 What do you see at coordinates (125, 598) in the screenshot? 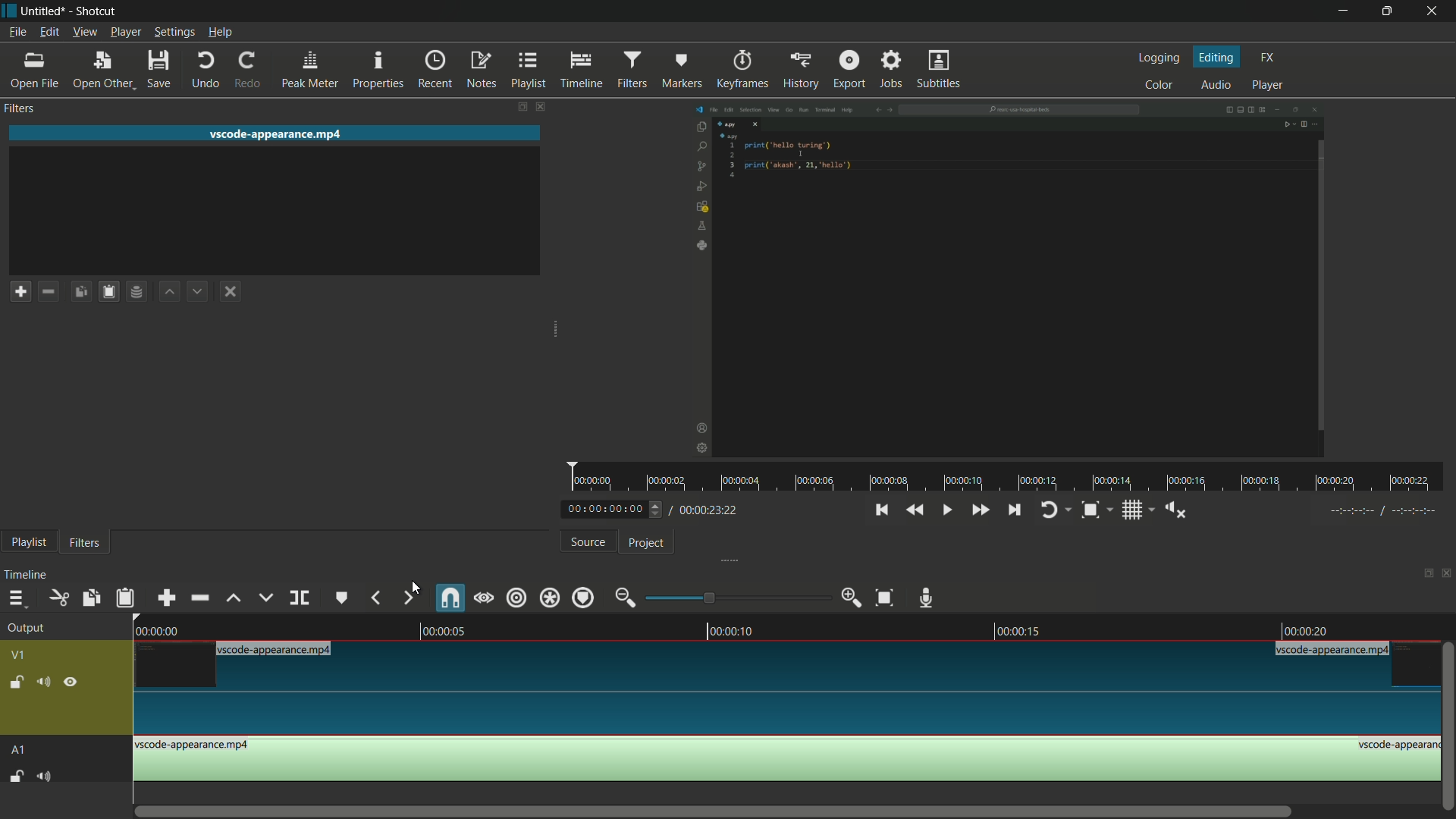
I see `paste` at bounding box center [125, 598].